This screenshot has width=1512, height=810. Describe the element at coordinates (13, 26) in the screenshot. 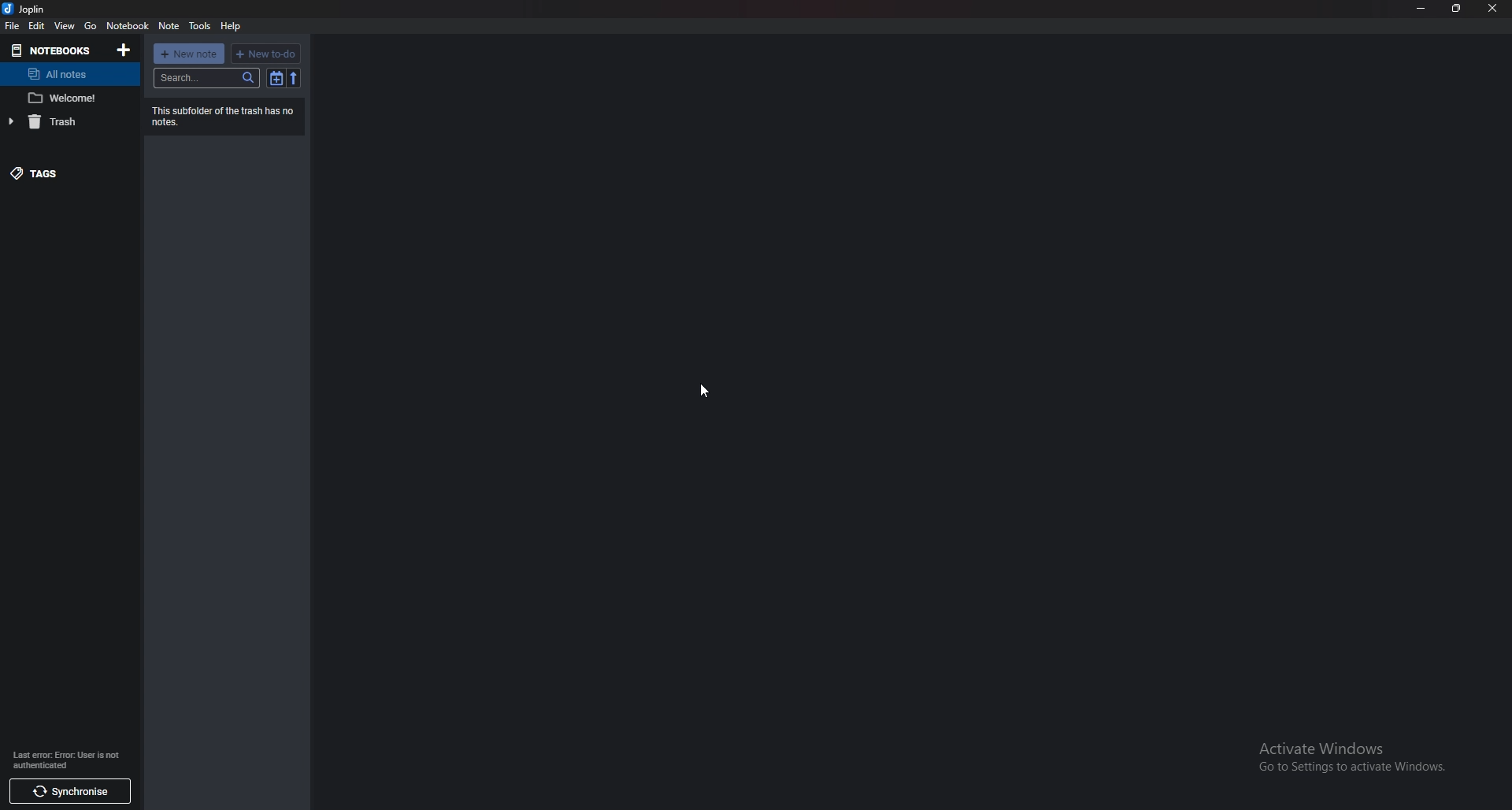

I see `file` at that location.